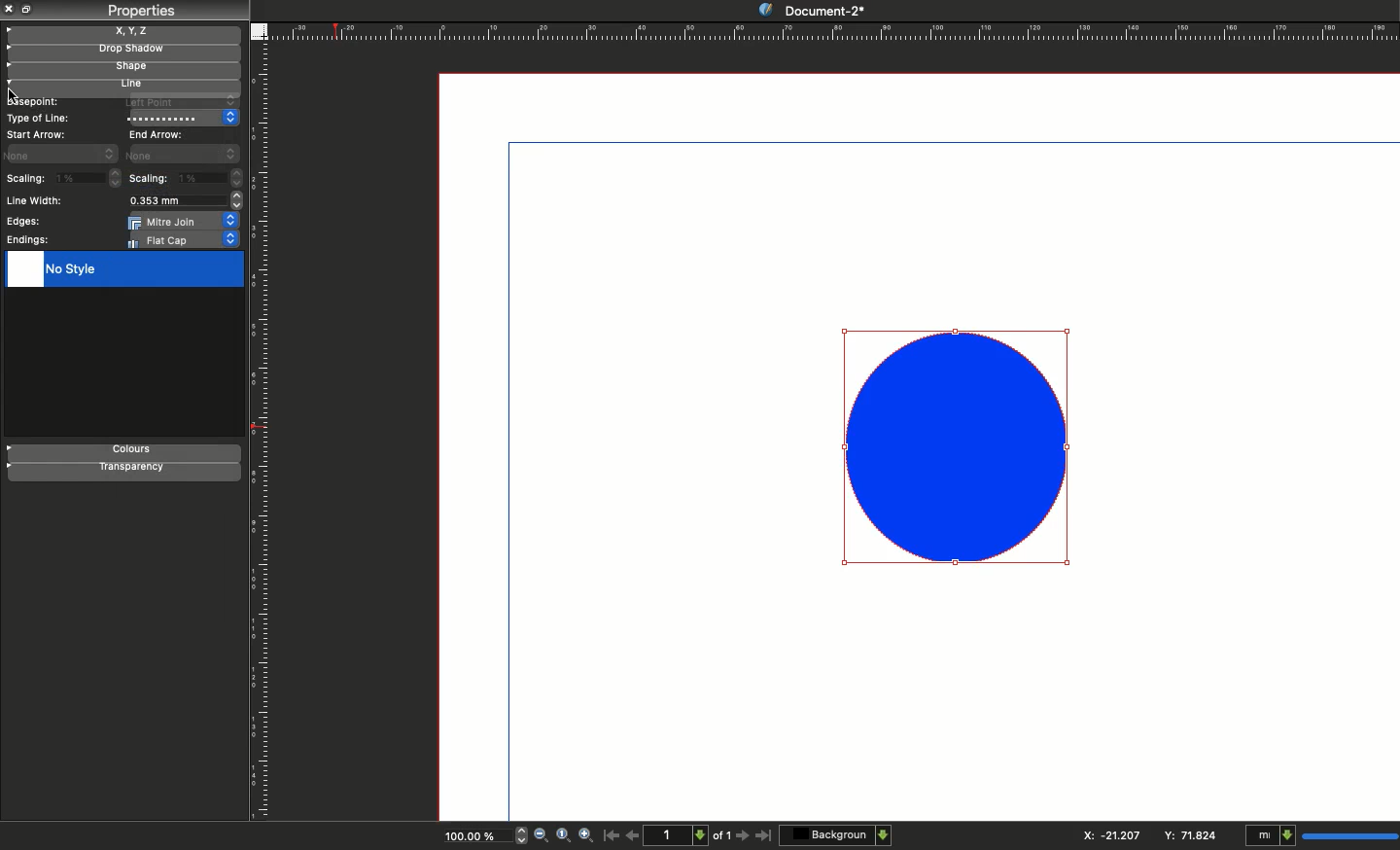  Describe the element at coordinates (541, 836) in the screenshot. I see `Zoom out` at that location.